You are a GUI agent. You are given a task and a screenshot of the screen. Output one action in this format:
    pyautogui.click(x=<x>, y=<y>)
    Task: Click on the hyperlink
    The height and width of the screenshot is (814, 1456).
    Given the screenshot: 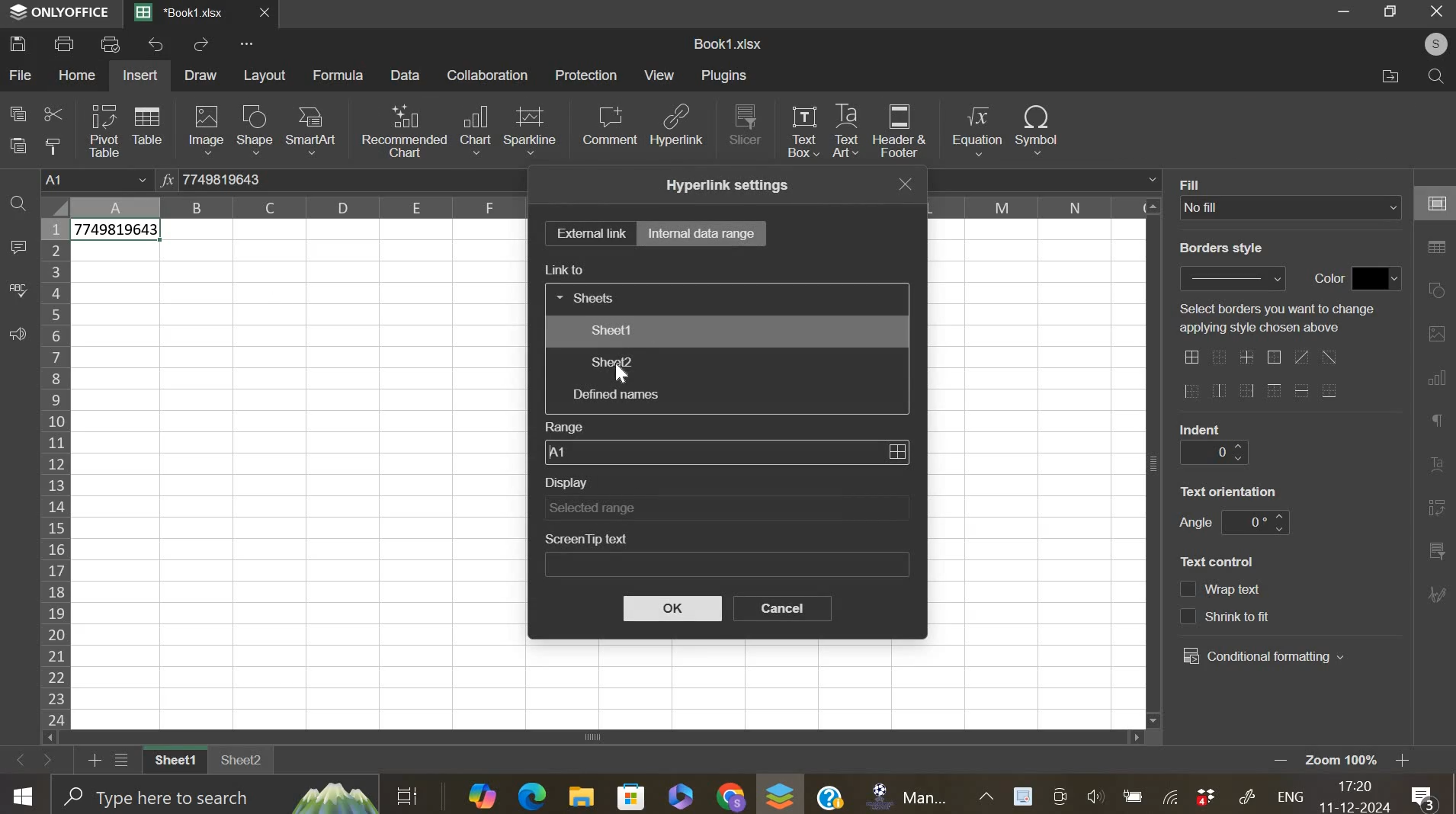 What is the action you would take?
    pyautogui.click(x=678, y=130)
    